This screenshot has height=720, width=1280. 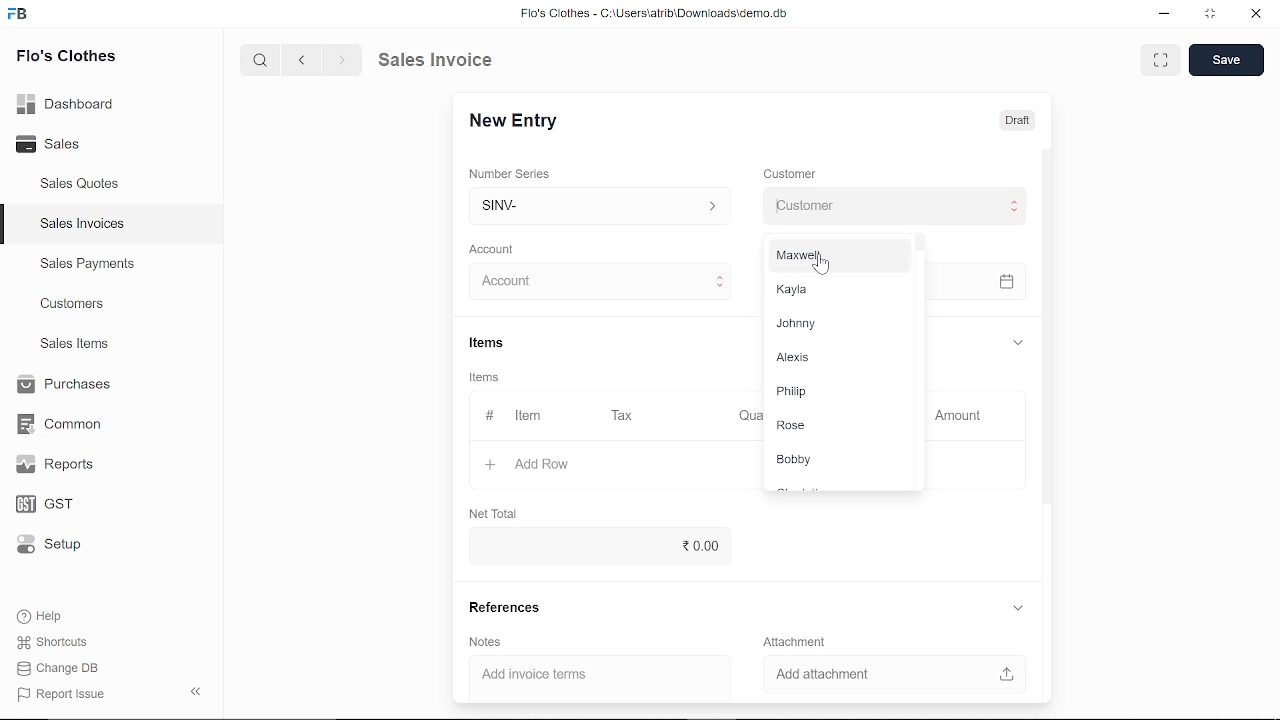 I want to click on Bobby, so click(x=839, y=461).